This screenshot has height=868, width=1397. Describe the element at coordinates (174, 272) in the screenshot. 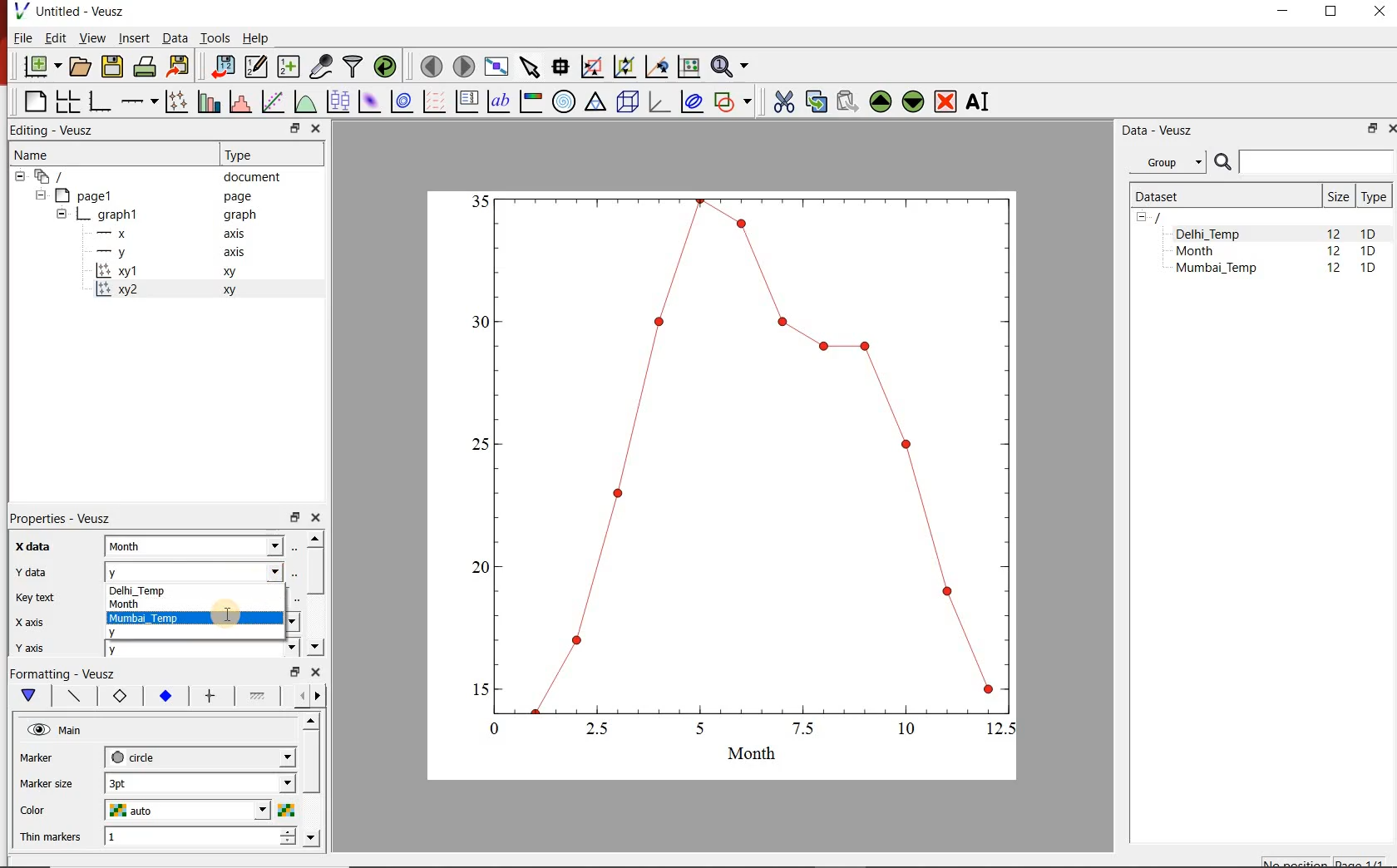

I see `xy1` at that location.